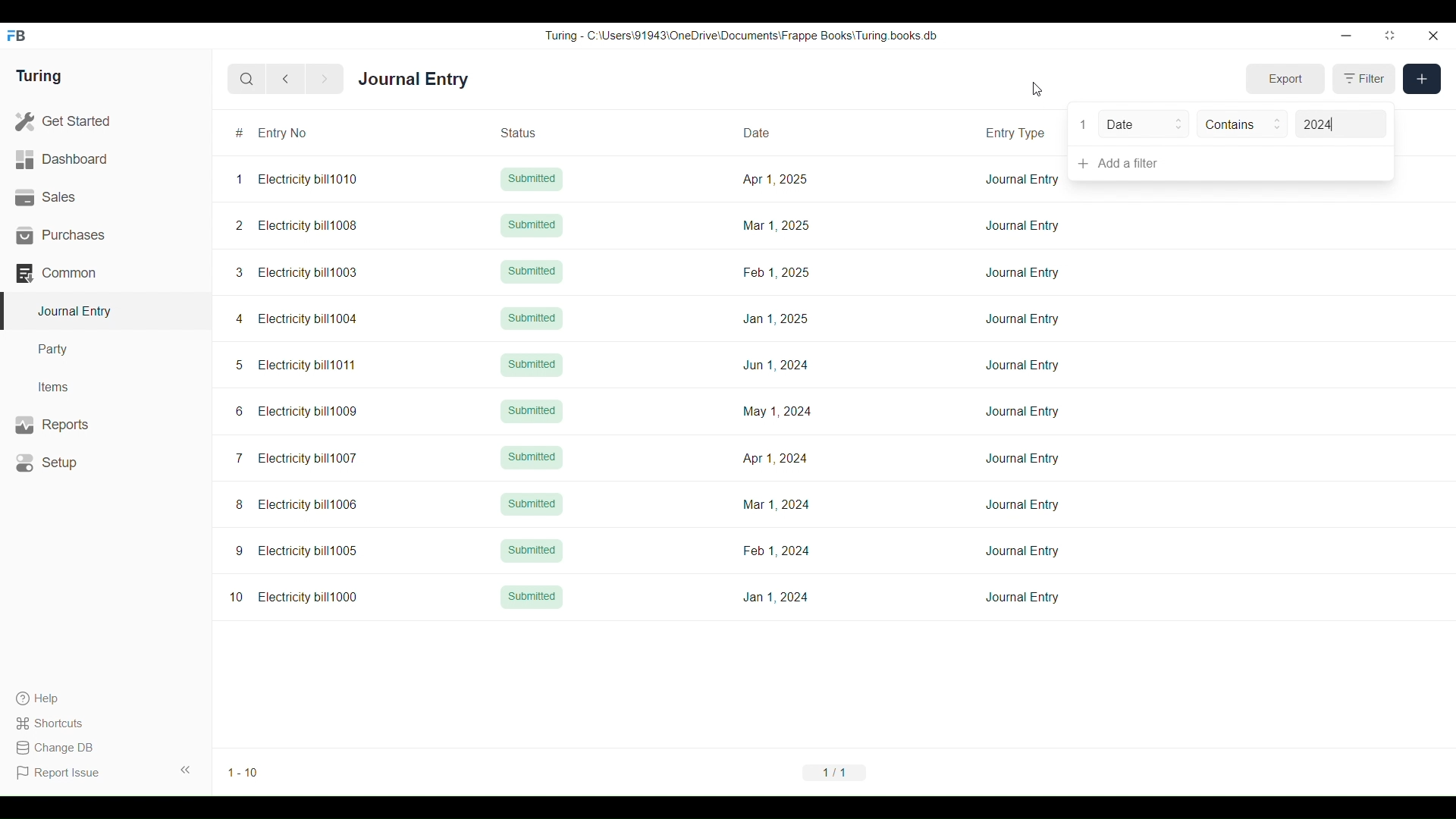 This screenshot has height=819, width=1456. I want to click on Turing - C:\Users\91943\0neDrive\Documents\Frappe Books\ Turing books db, so click(740, 36).